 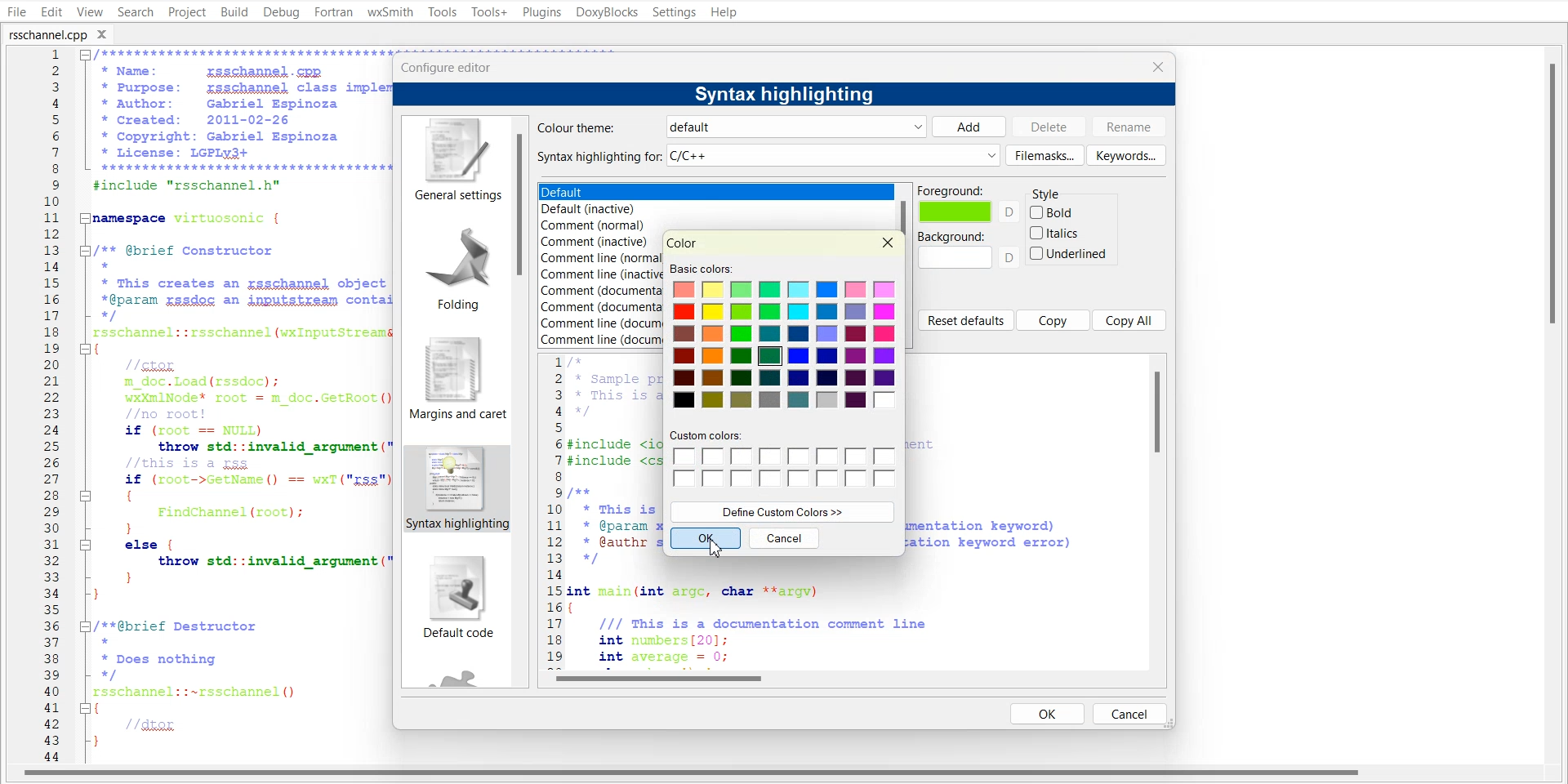 What do you see at coordinates (522, 402) in the screenshot?
I see `Vertical scroll bar` at bounding box center [522, 402].